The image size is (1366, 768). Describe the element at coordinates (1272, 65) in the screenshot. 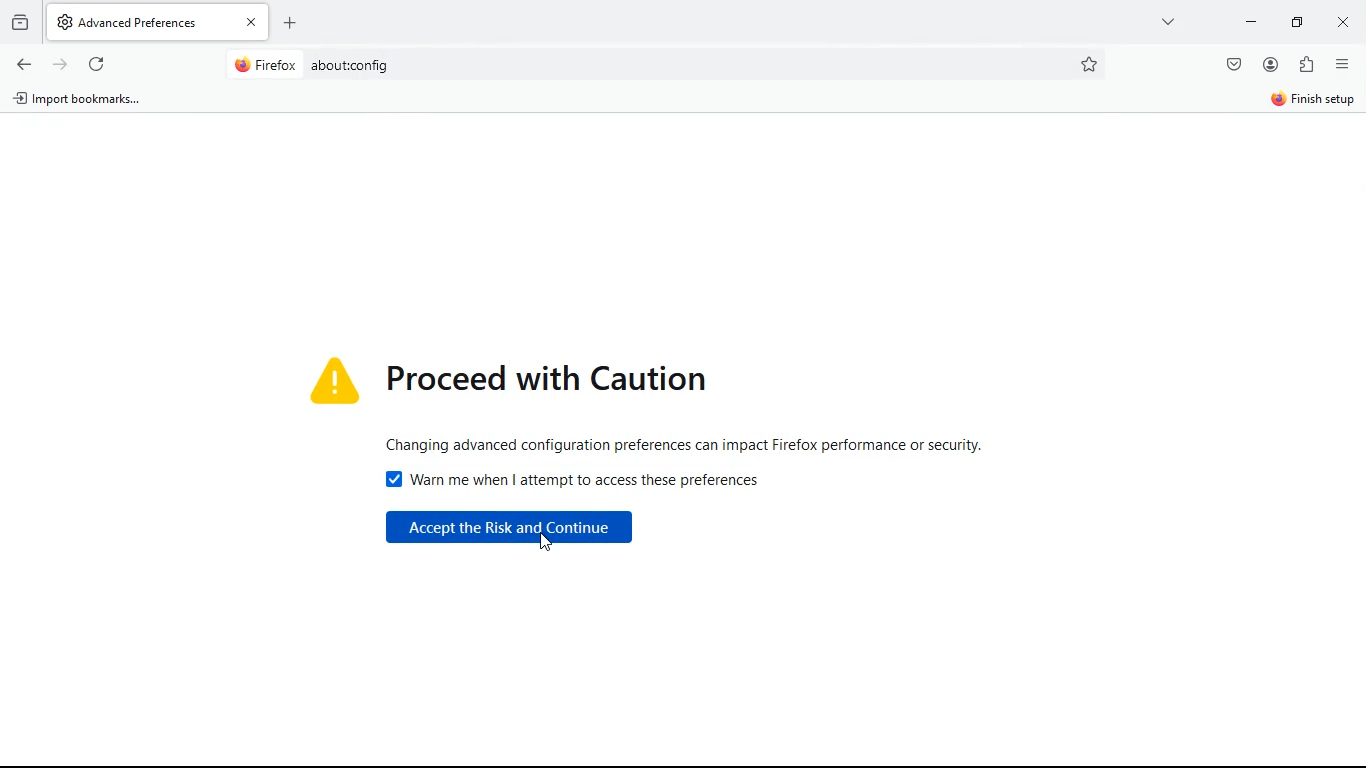

I see `profile` at that location.